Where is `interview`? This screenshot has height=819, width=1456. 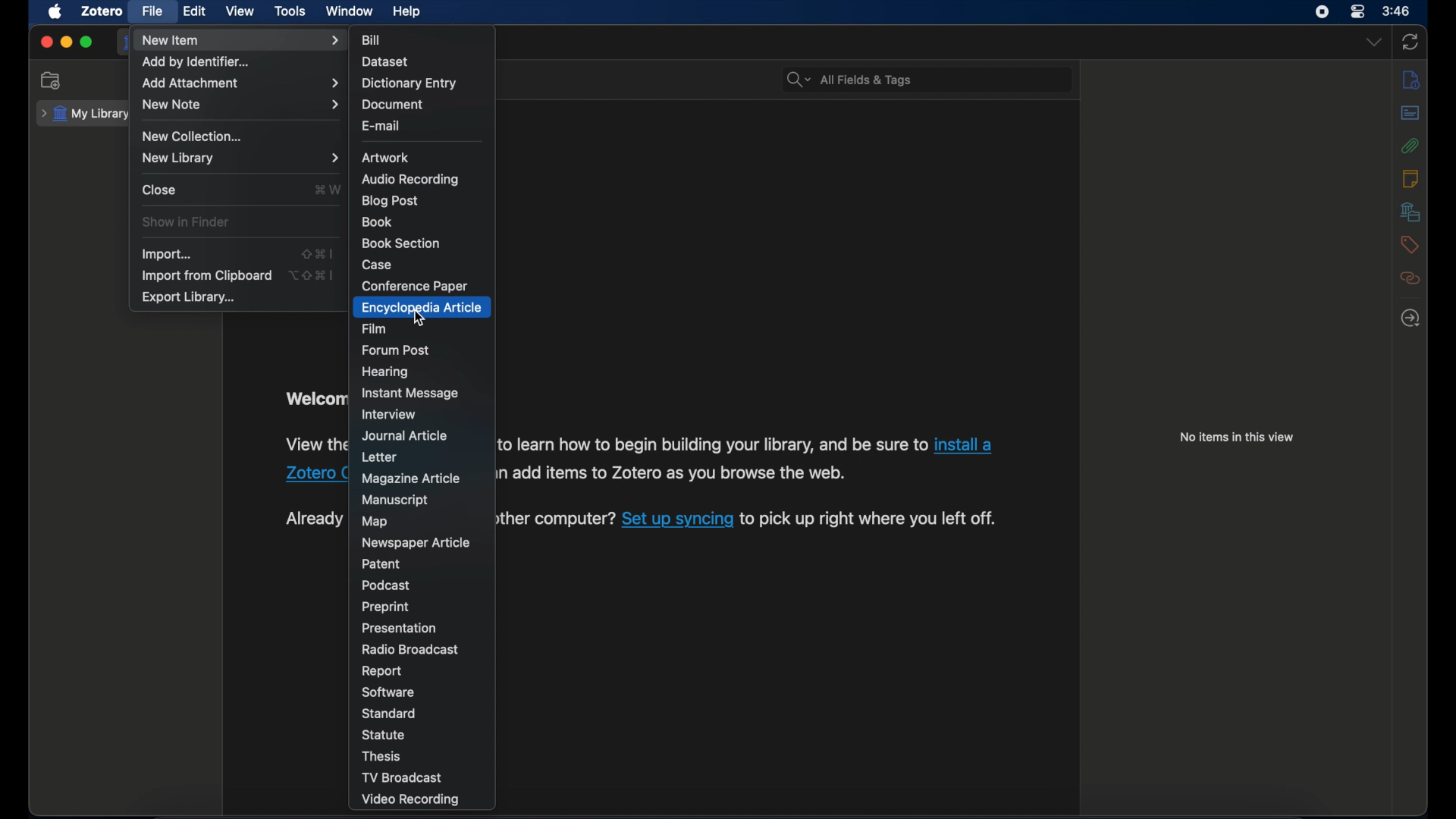
interview is located at coordinates (388, 414).